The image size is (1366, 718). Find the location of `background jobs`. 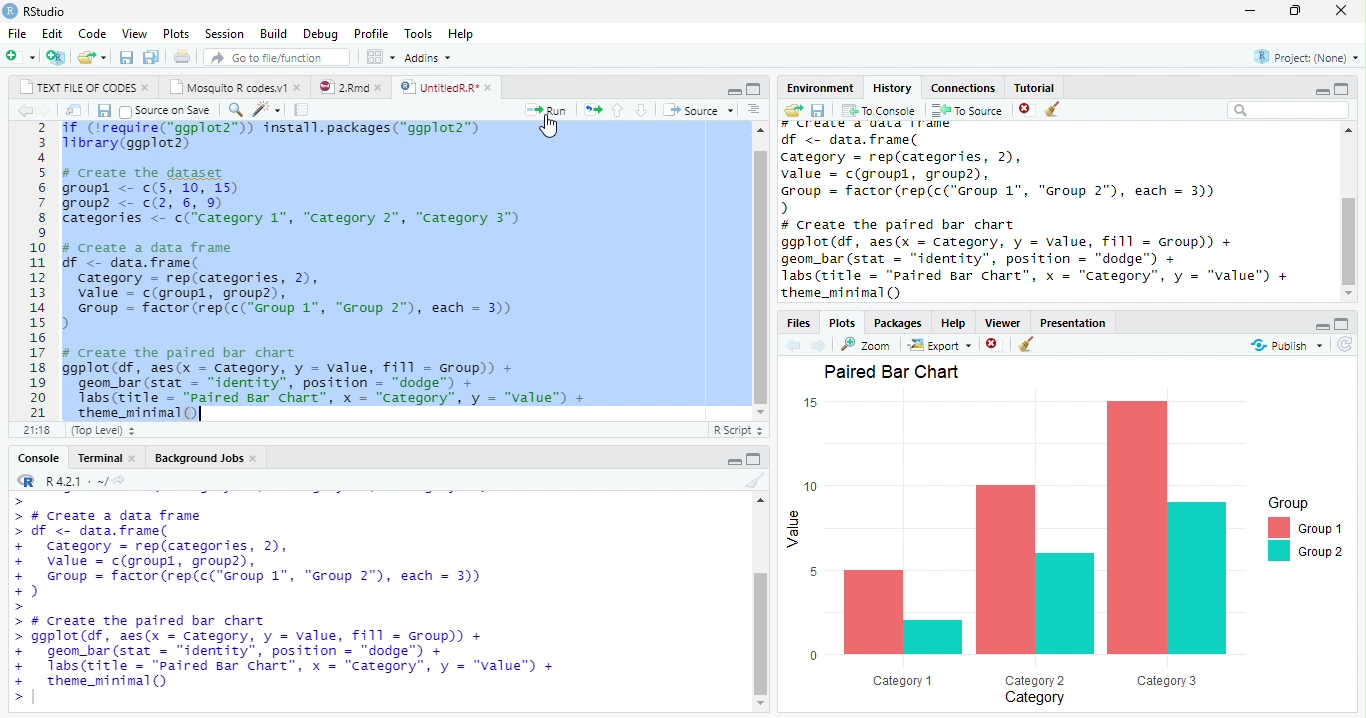

background jobs is located at coordinates (198, 457).